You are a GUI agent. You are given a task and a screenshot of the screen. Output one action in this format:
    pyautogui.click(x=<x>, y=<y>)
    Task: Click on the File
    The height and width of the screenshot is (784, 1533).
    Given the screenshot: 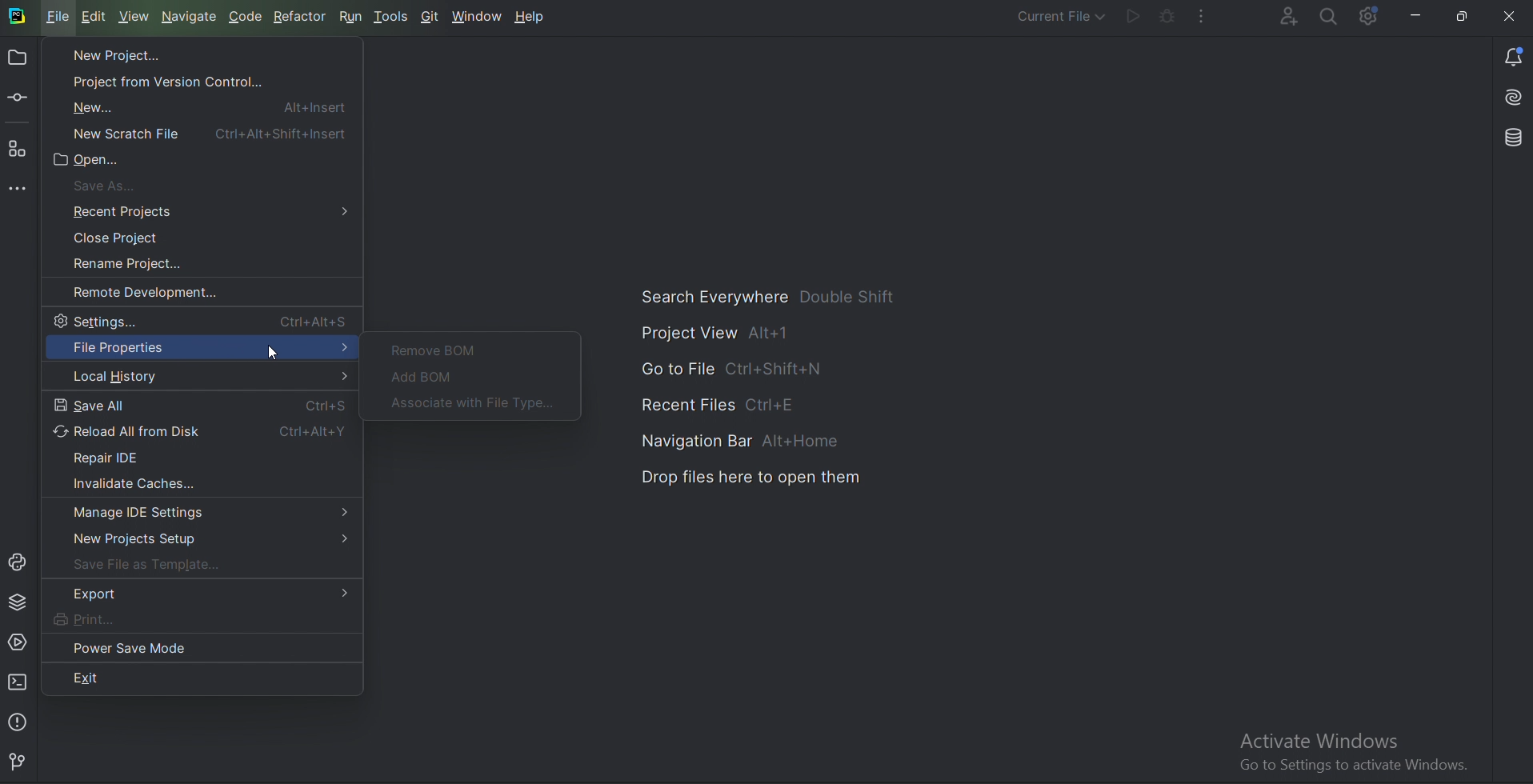 What is the action you would take?
    pyautogui.click(x=58, y=16)
    